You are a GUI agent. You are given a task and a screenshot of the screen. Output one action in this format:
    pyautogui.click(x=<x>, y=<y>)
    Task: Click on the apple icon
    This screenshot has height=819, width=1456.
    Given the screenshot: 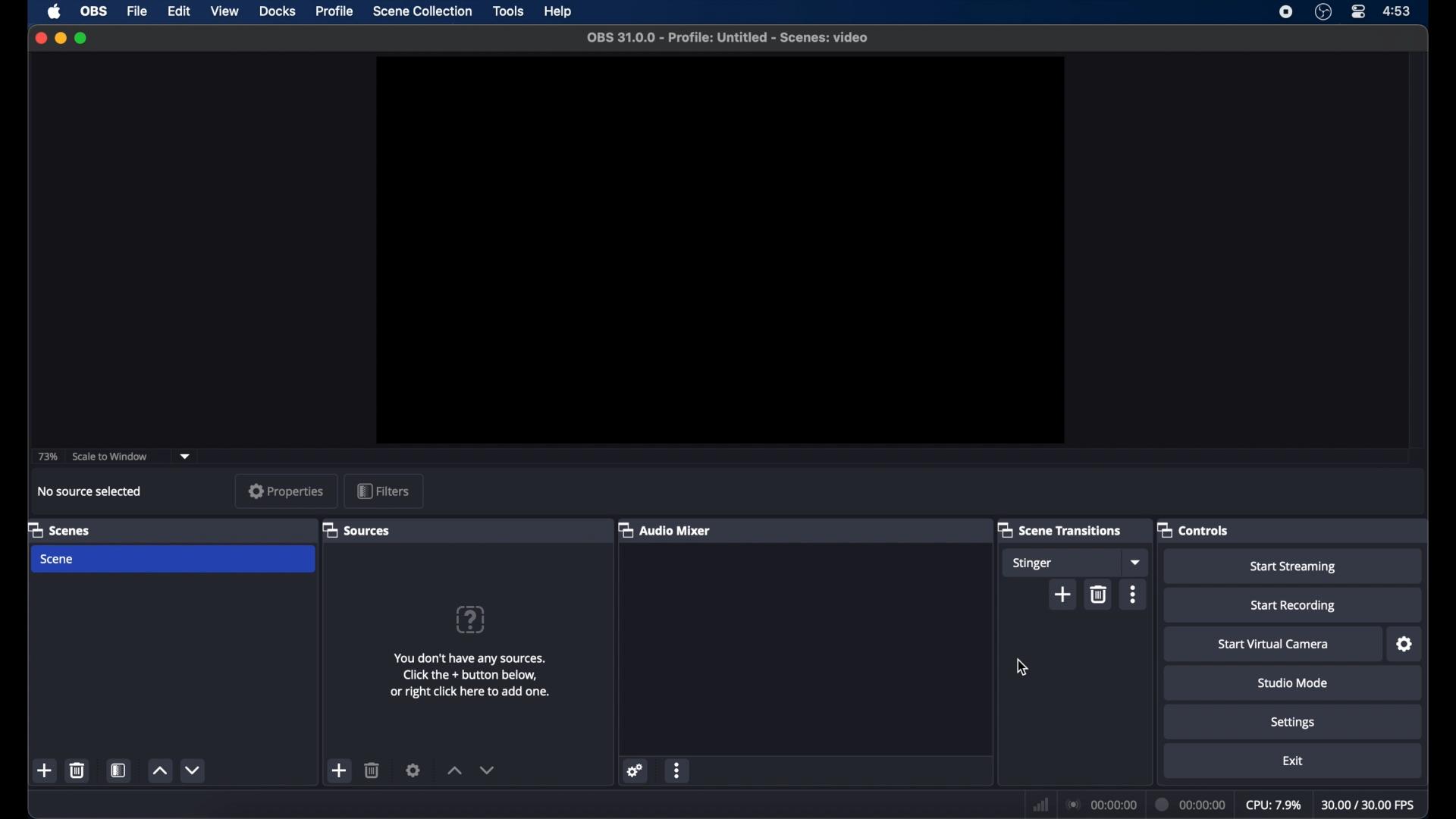 What is the action you would take?
    pyautogui.click(x=55, y=12)
    